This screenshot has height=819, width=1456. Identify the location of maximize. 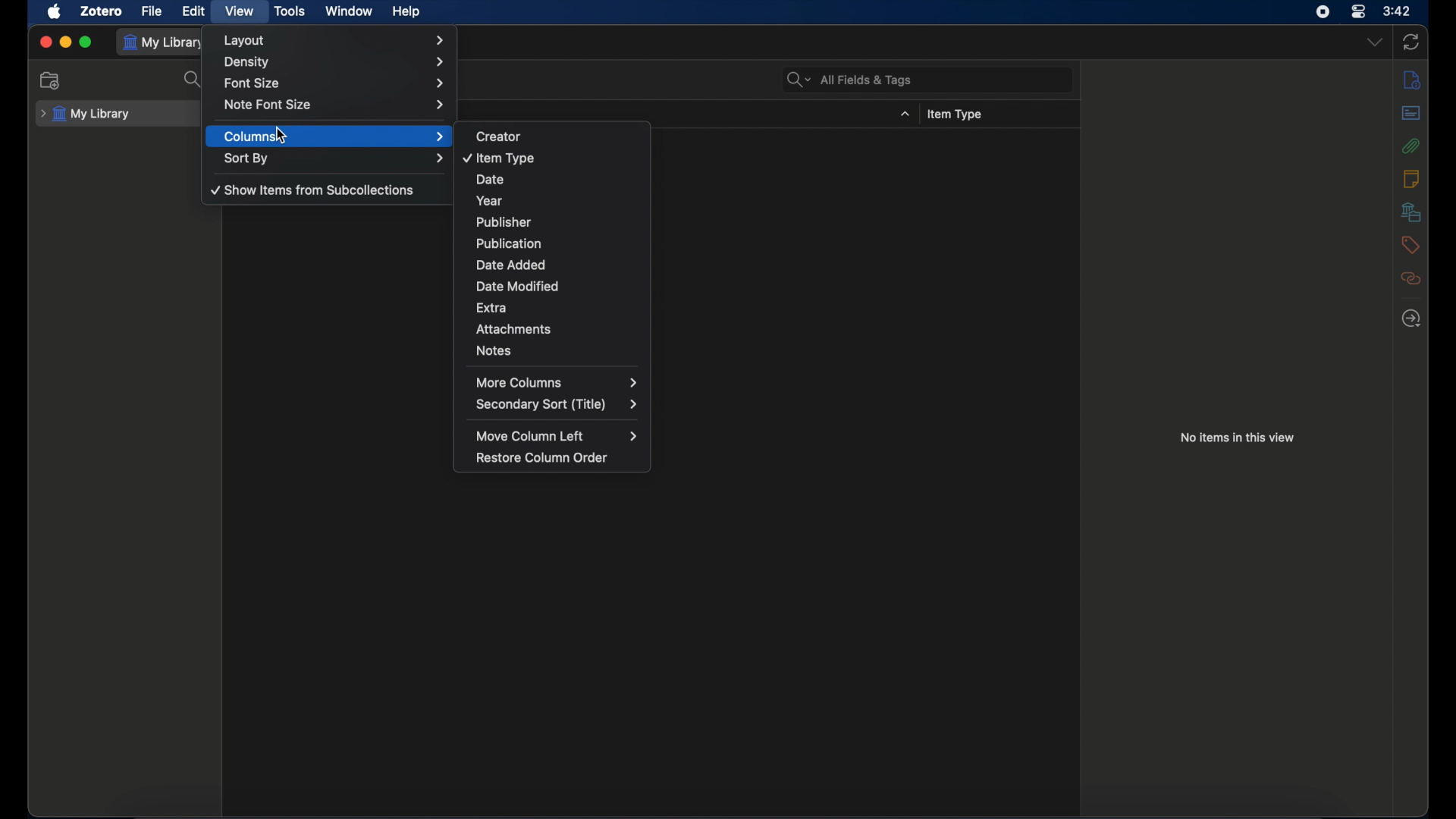
(86, 42).